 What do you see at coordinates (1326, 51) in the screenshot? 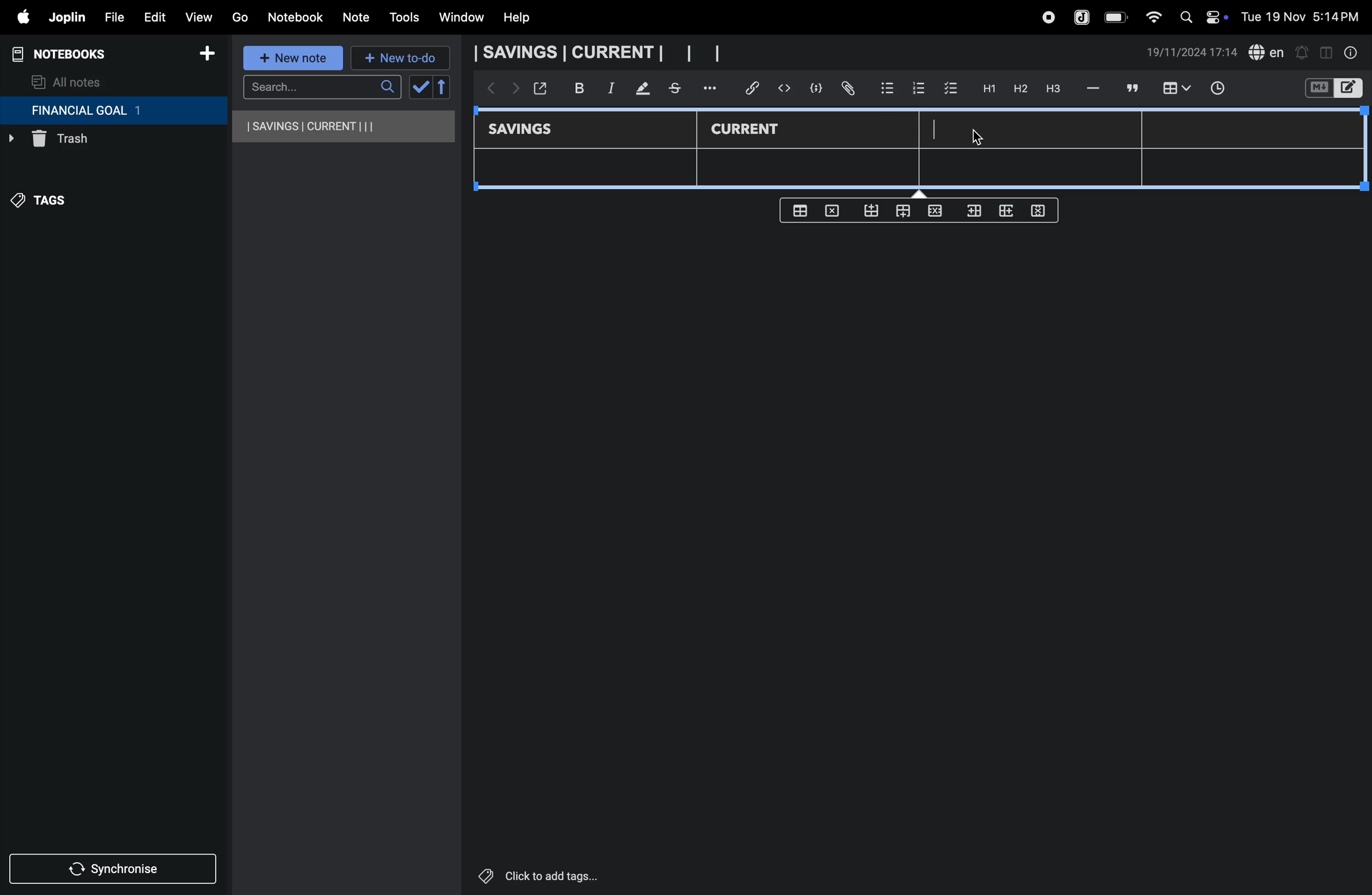
I see `toggle editor` at bounding box center [1326, 51].